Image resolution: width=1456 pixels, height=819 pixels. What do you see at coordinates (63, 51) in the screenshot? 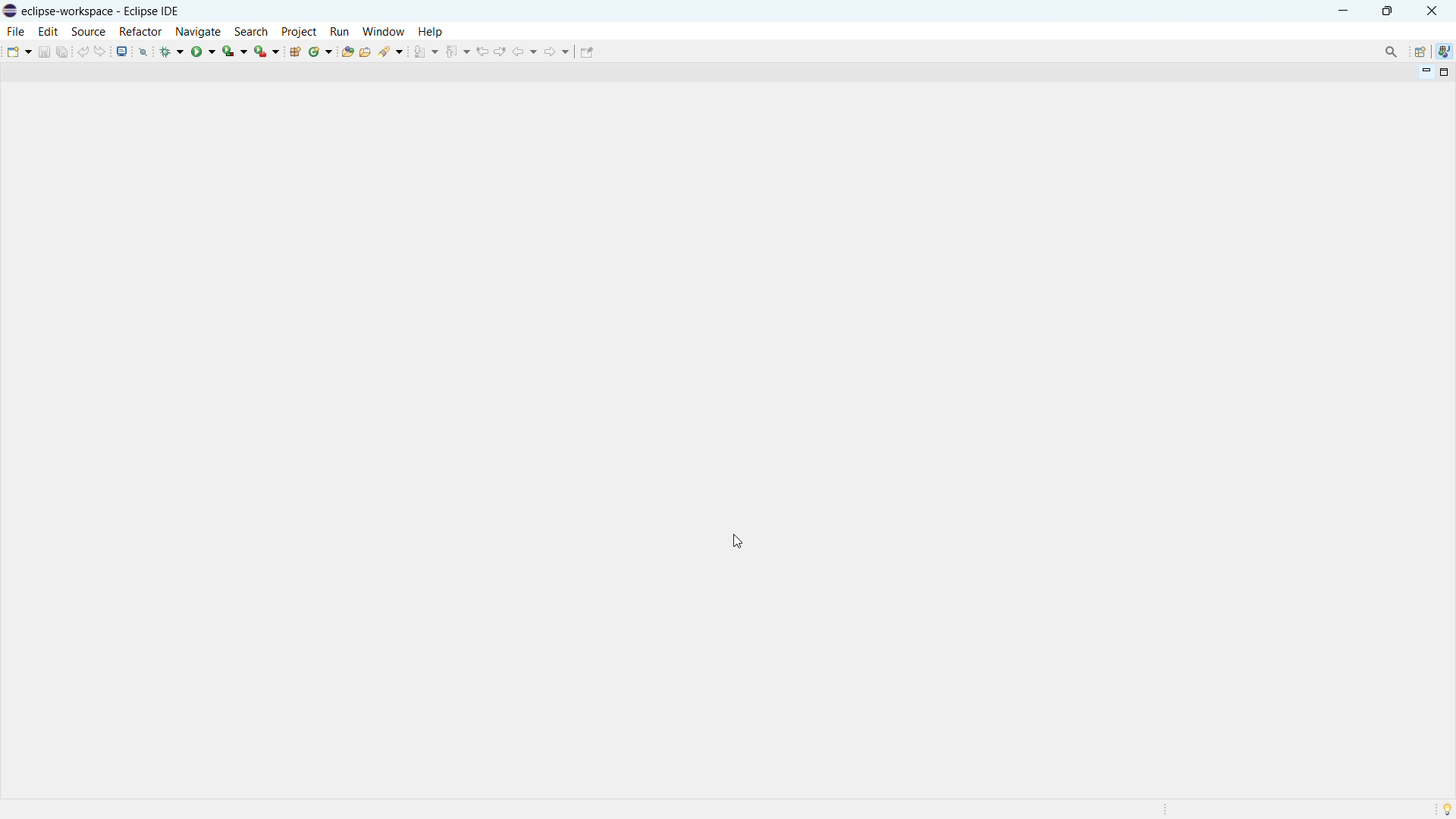
I see `save all` at bounding box center [63, 51].